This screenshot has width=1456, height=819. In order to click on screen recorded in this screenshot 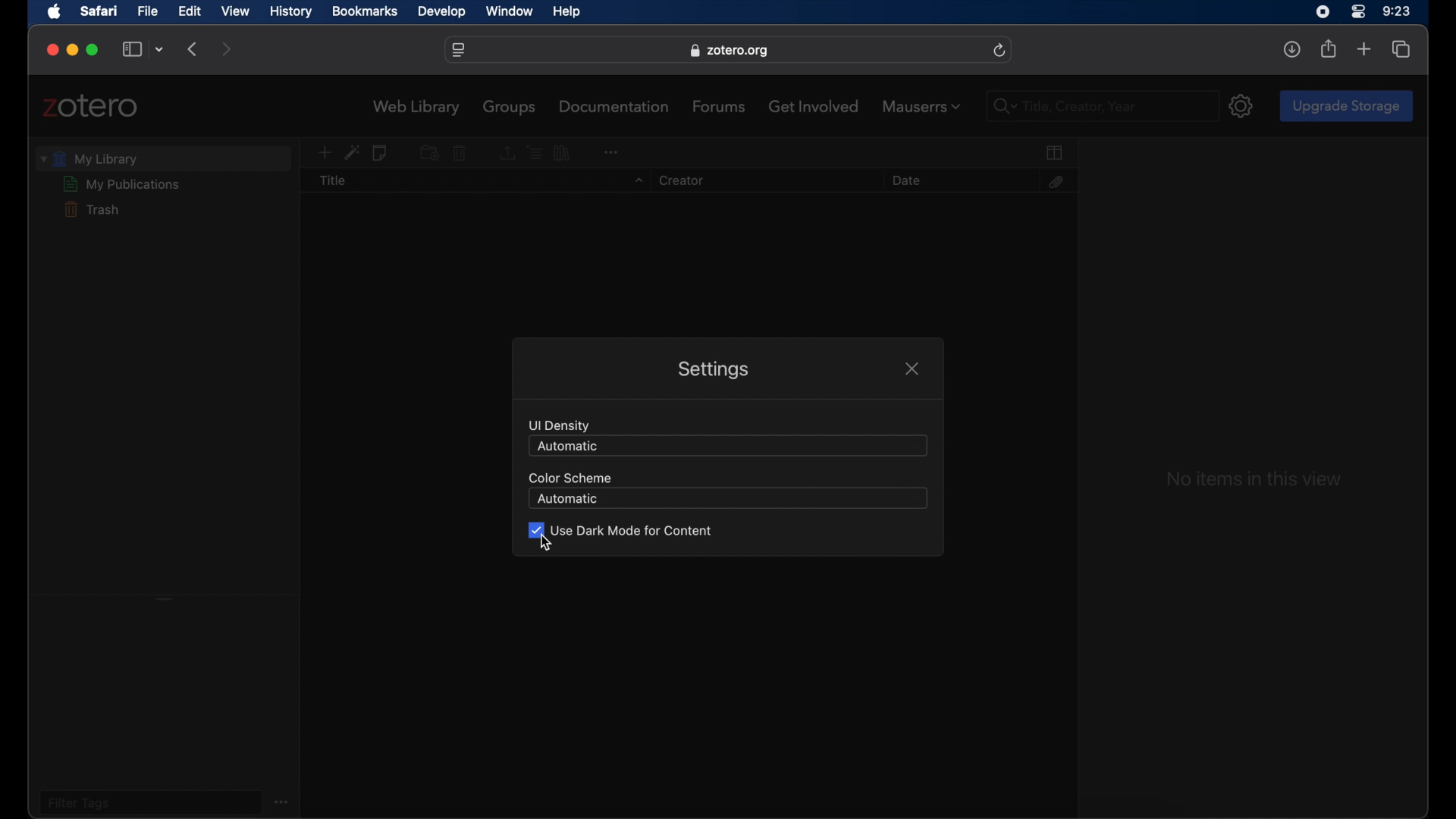, I will do `click(1323, 11)`.